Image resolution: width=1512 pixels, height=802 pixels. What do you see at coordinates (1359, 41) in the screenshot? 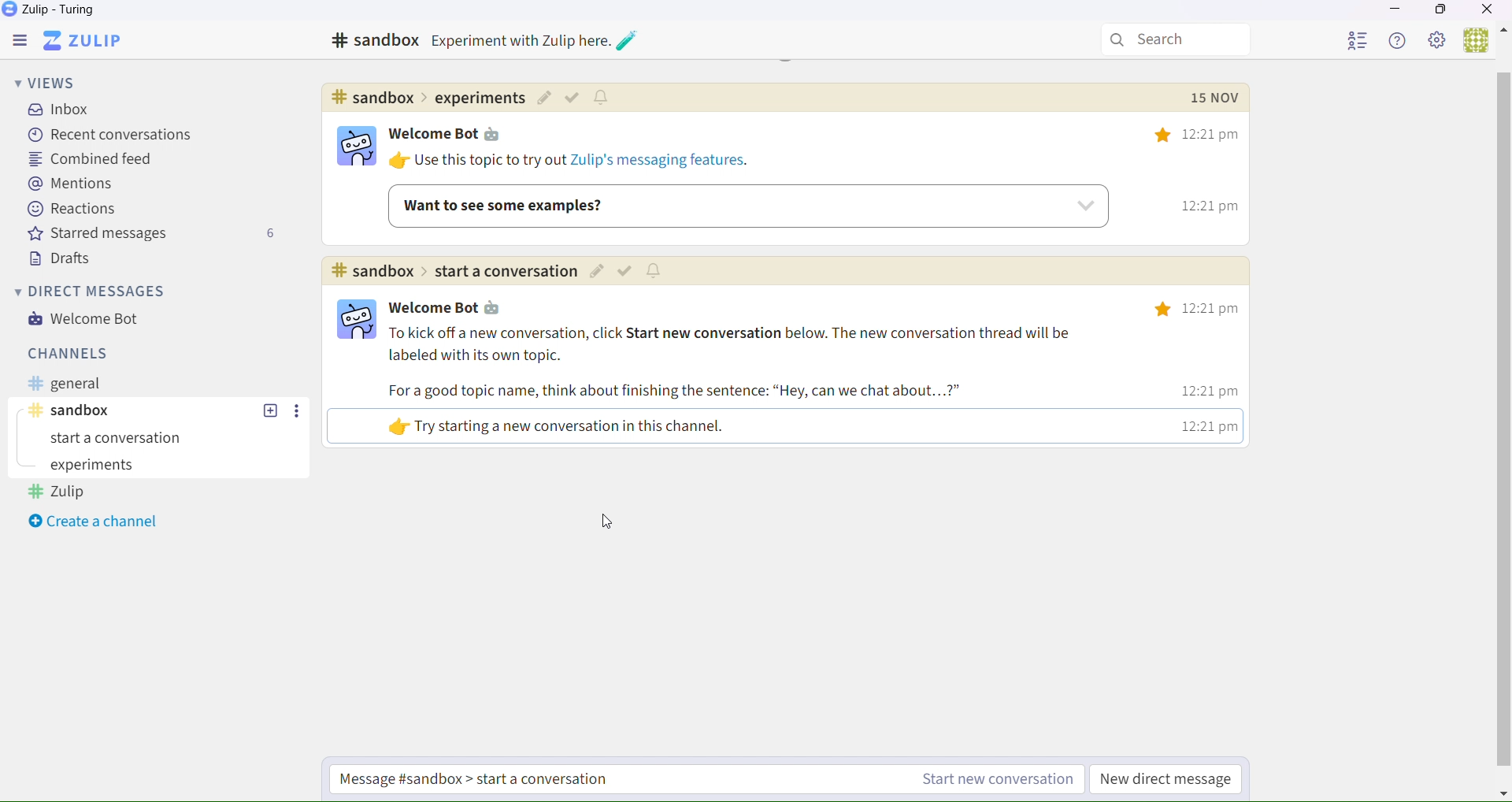
I see `User List` at bounding box center [1359, 41].